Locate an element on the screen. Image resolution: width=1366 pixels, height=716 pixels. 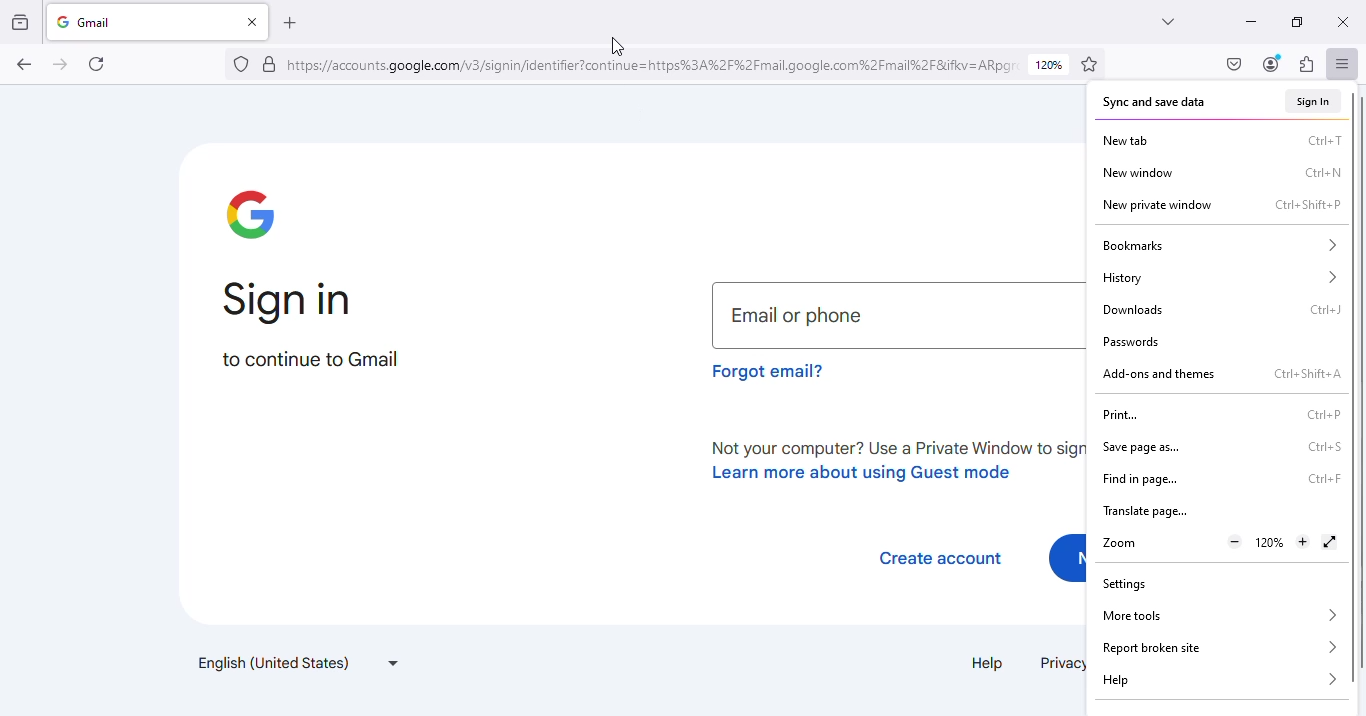
reload current page is located at coordinates (96, 64).